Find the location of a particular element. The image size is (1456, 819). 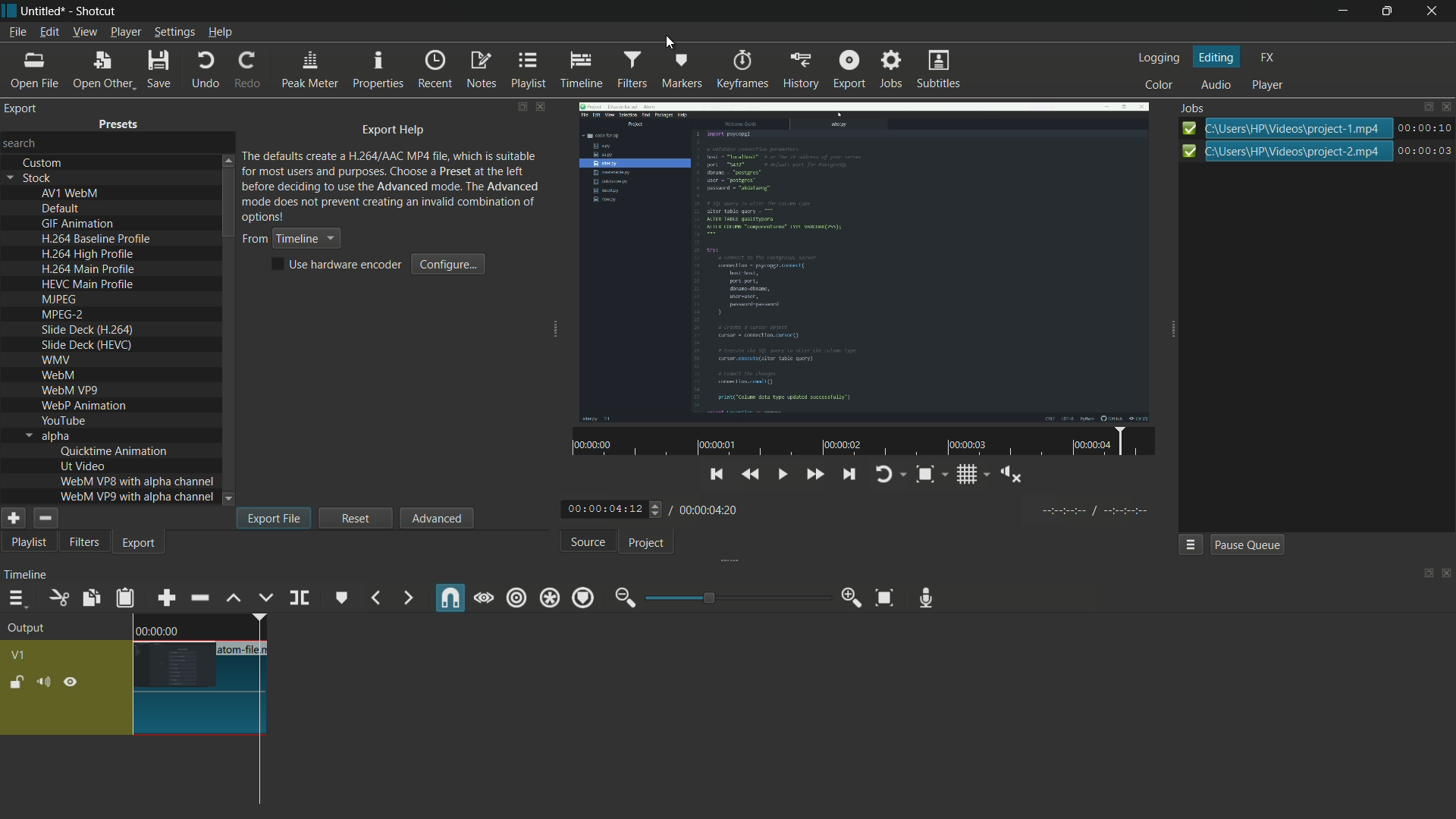

toggle grid is located at coordinates (1132, 512).